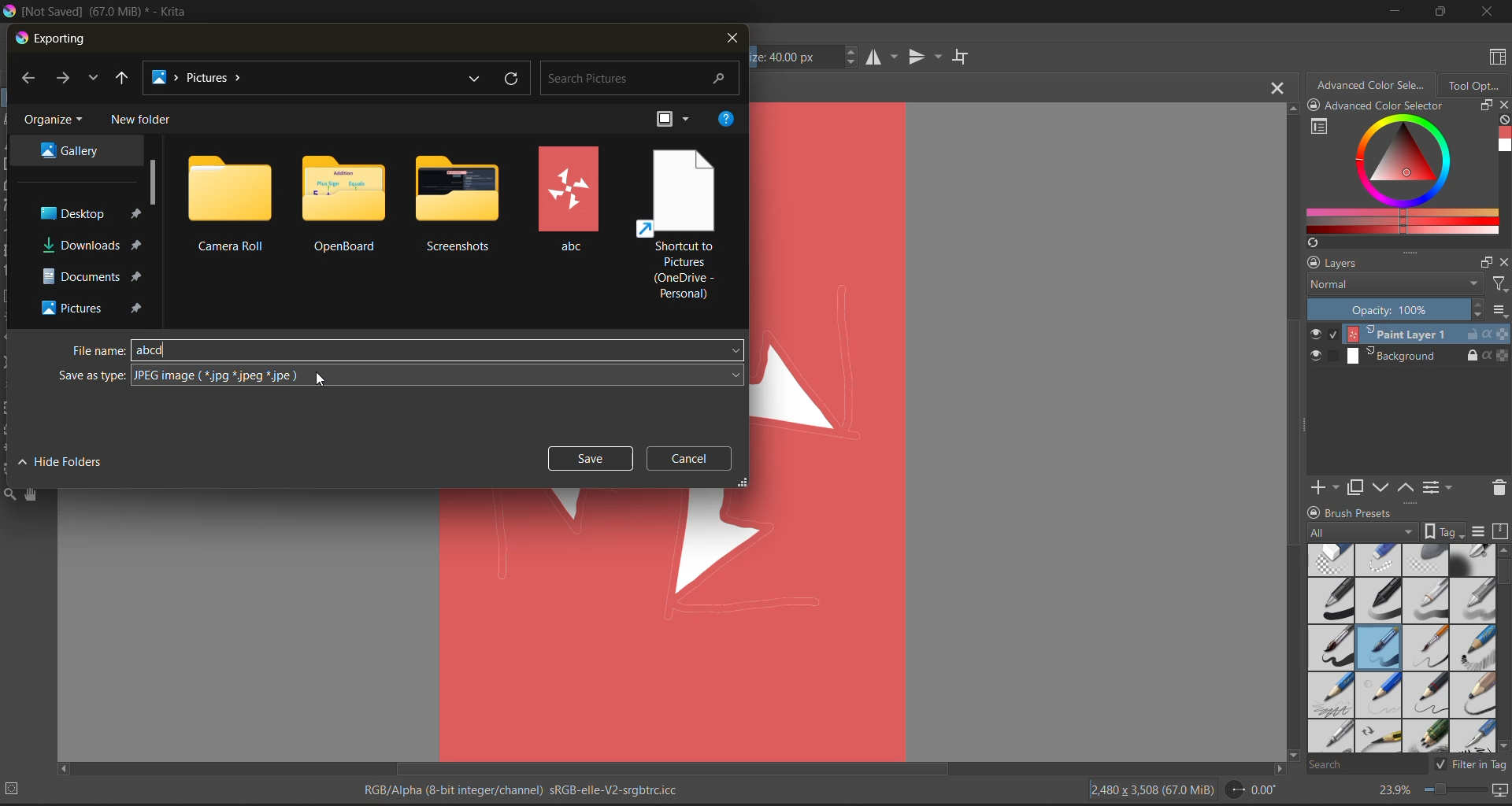 The height and width of the screenshot is (806, 1512). Describe the element at coordinates (1499, 57) in the screenshot. I see `choose workspace` at that location.